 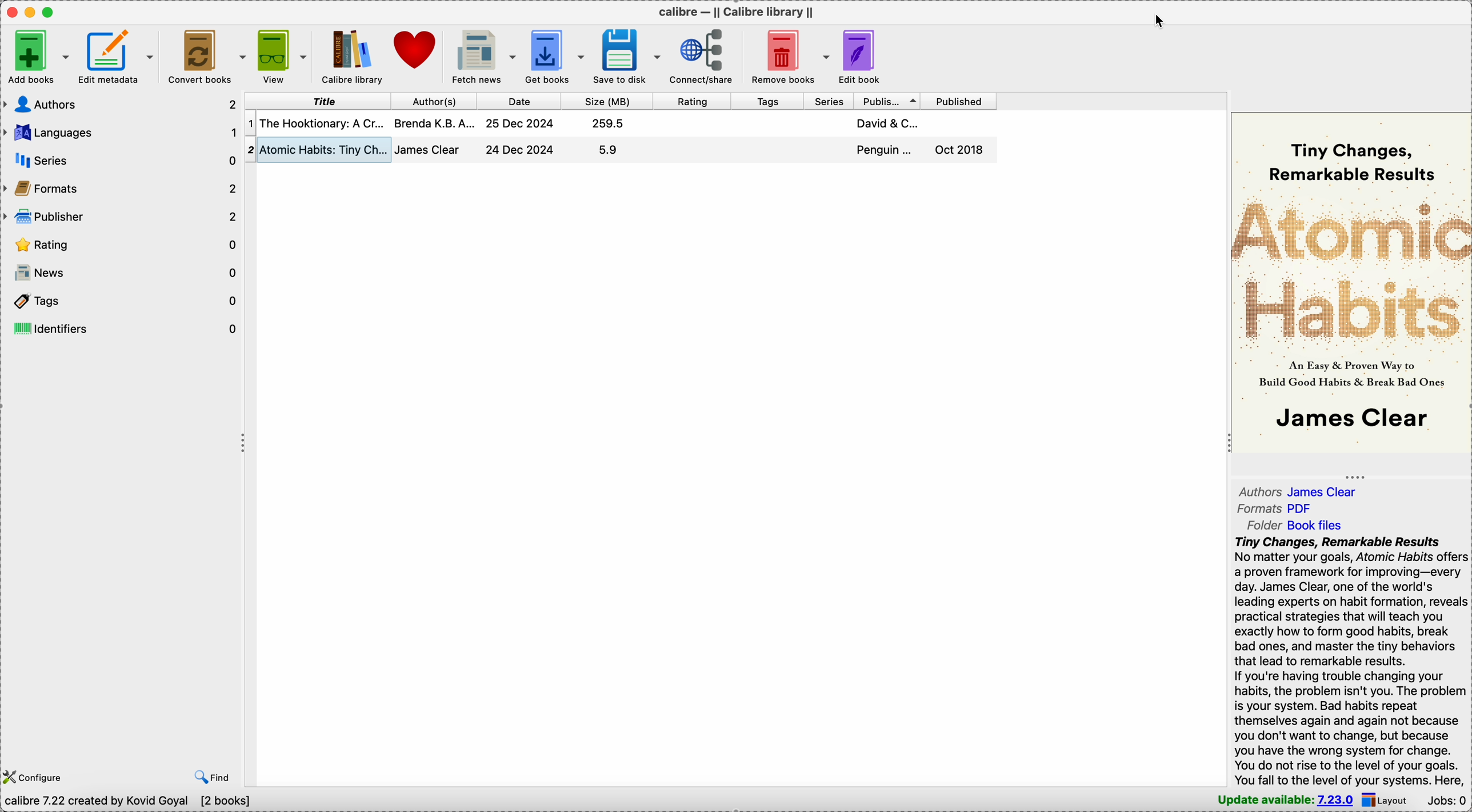 I want to click on get books, so click(x=554, y=55).